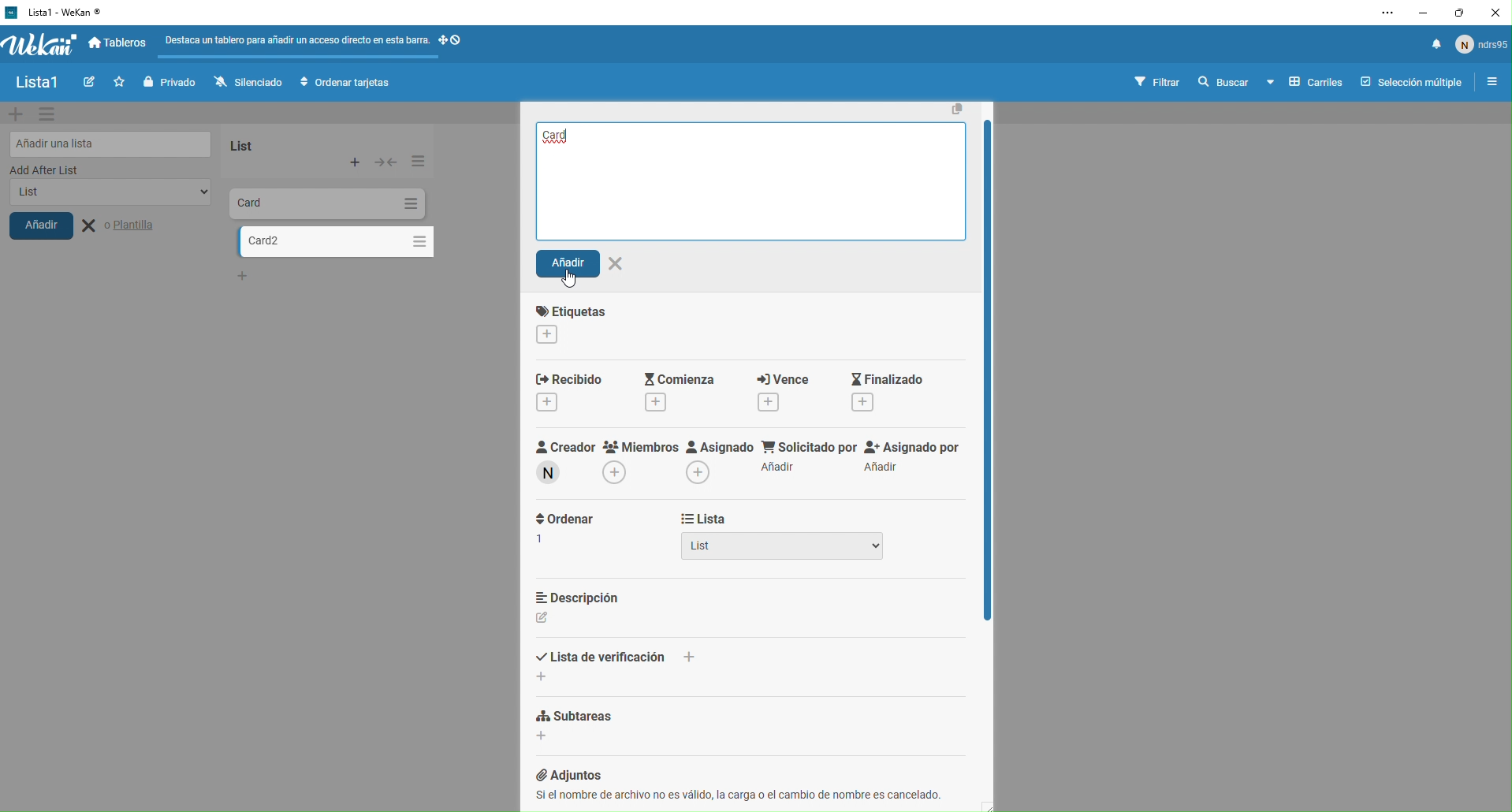 The width and height of the screenshot is (1512, 812). Describe the element at coordinates (265, 143) in the screenshot. I see `list` at that location.